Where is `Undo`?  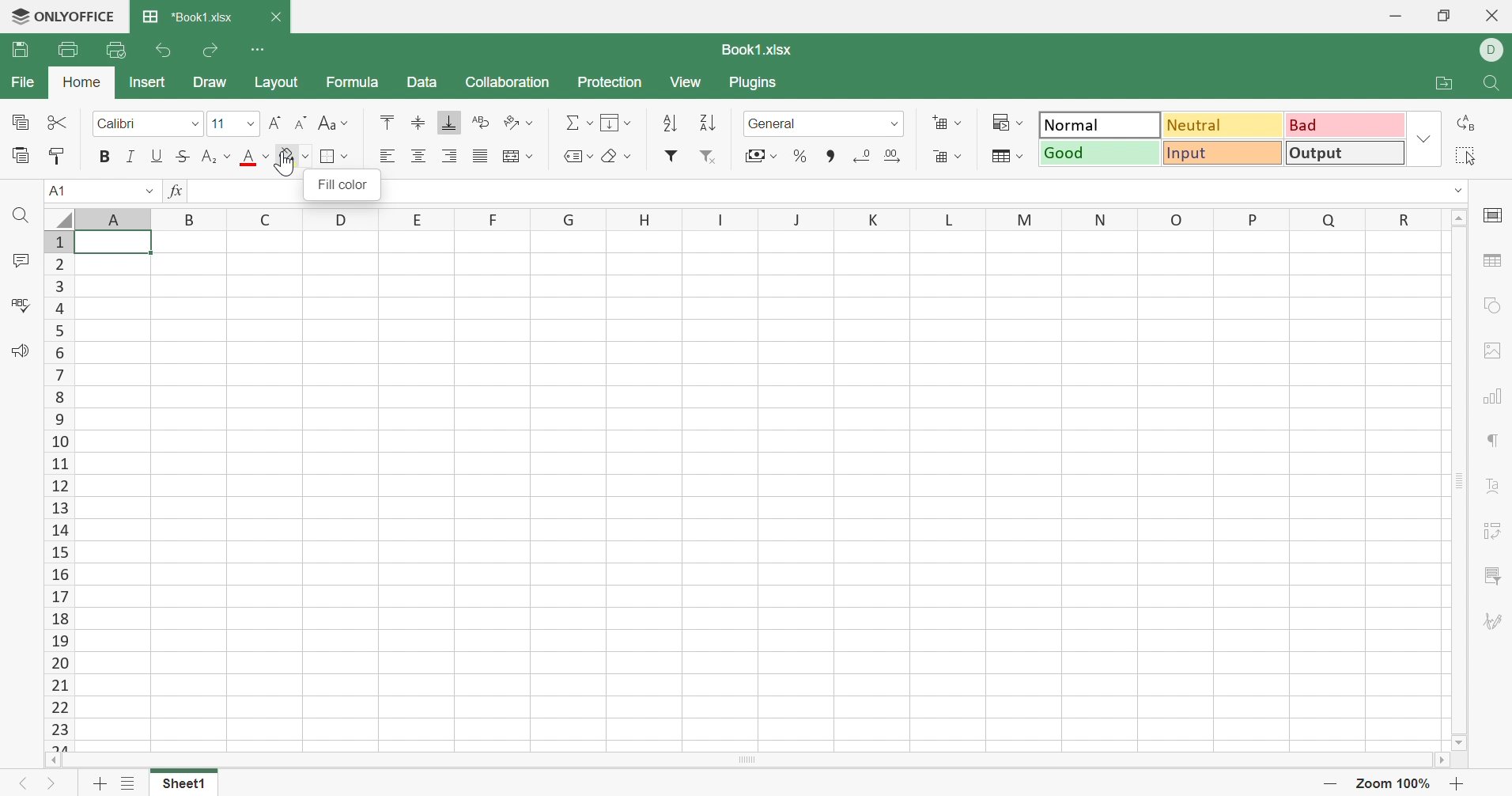
Undo is located at coordinates (165, 51).